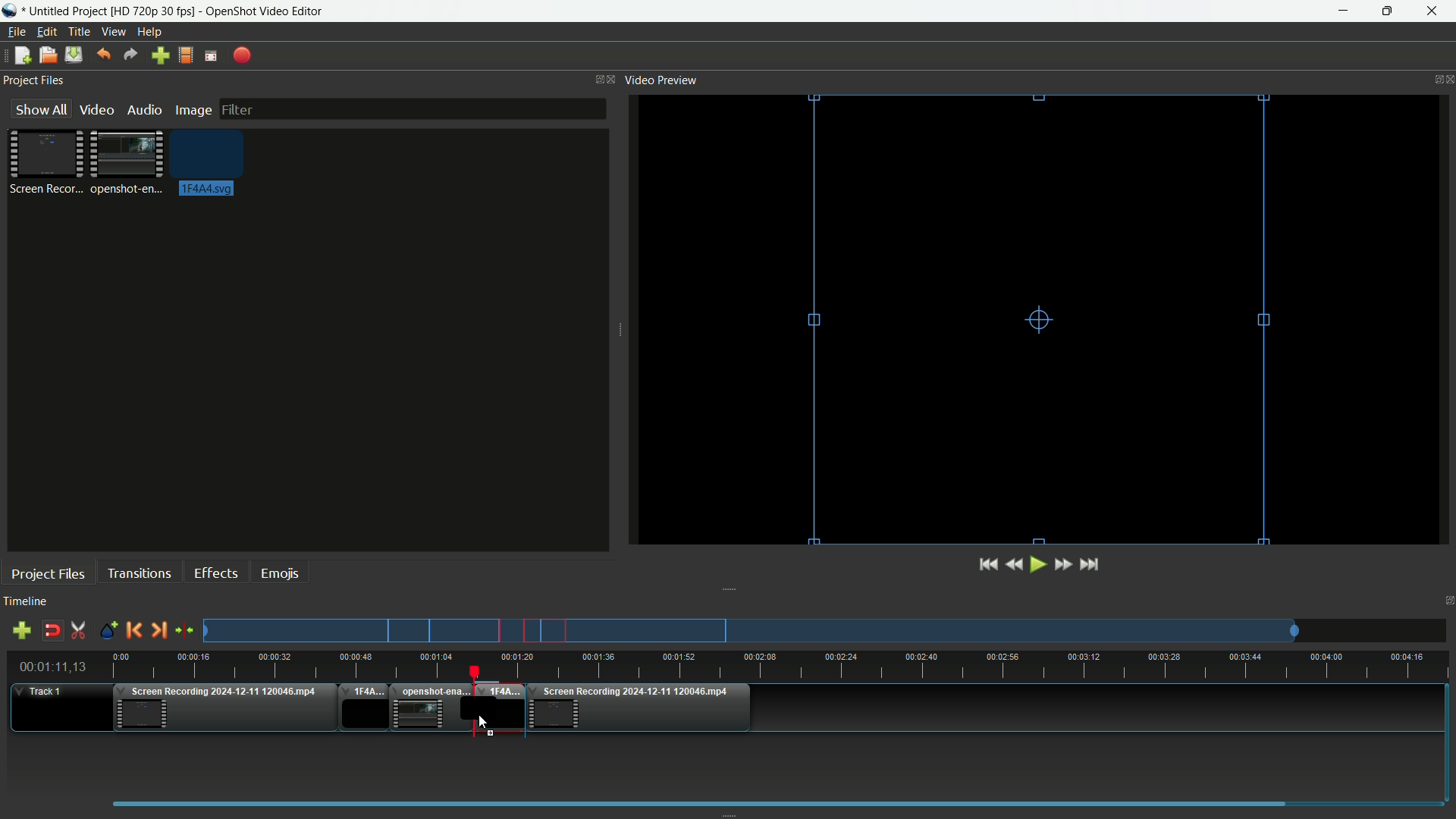 The height and width of the screenshot is (819, 1456). Describe the element at coordinates (67, 11) in the screenshot. I see `Project name` at that location.